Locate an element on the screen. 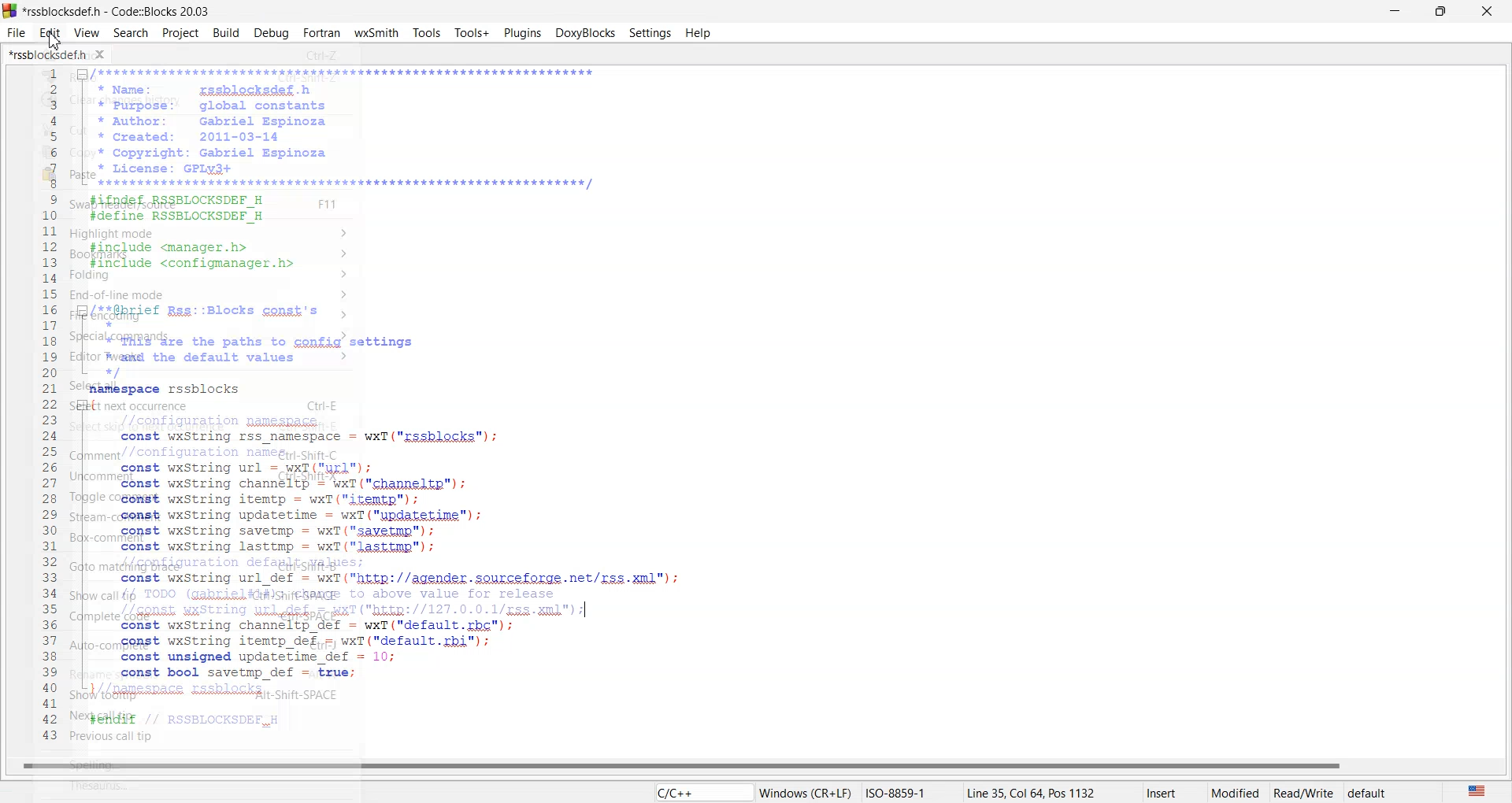  Windows(CR+LF) is located at coordinates (859, 791).